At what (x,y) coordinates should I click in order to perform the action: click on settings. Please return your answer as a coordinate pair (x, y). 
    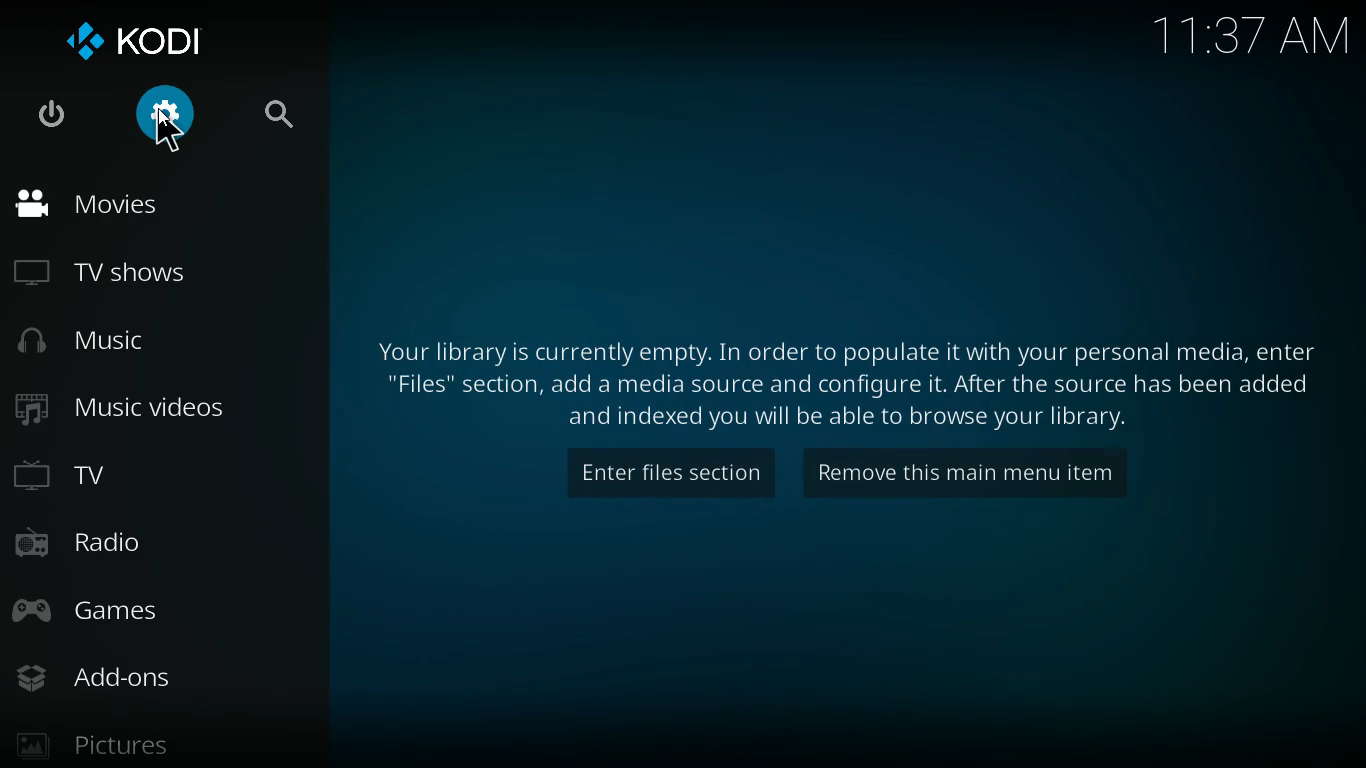
    Looking at the image, I should click on (161, 118).